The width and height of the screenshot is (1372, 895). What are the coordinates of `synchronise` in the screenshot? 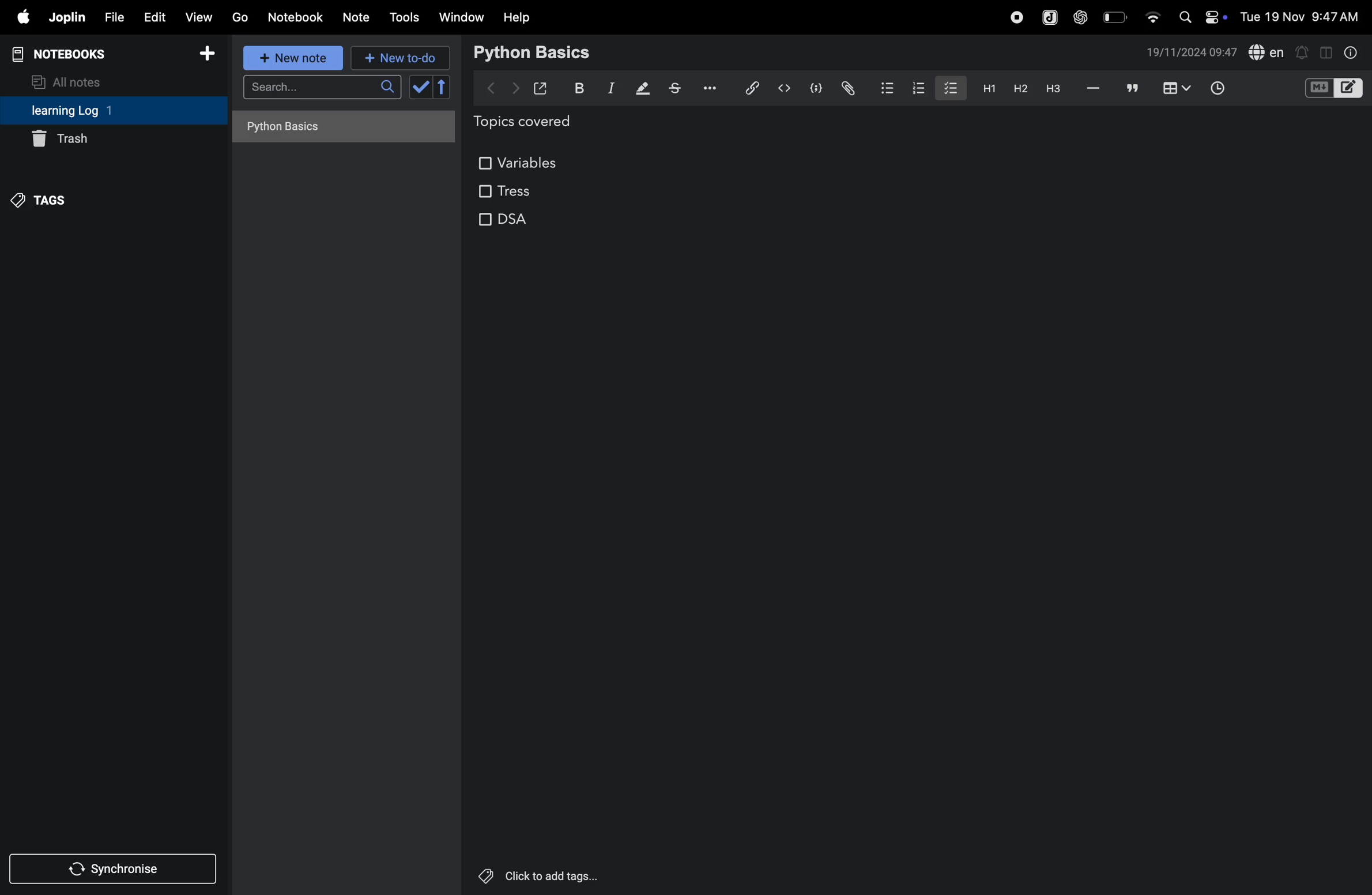 It's located at (115, 870).